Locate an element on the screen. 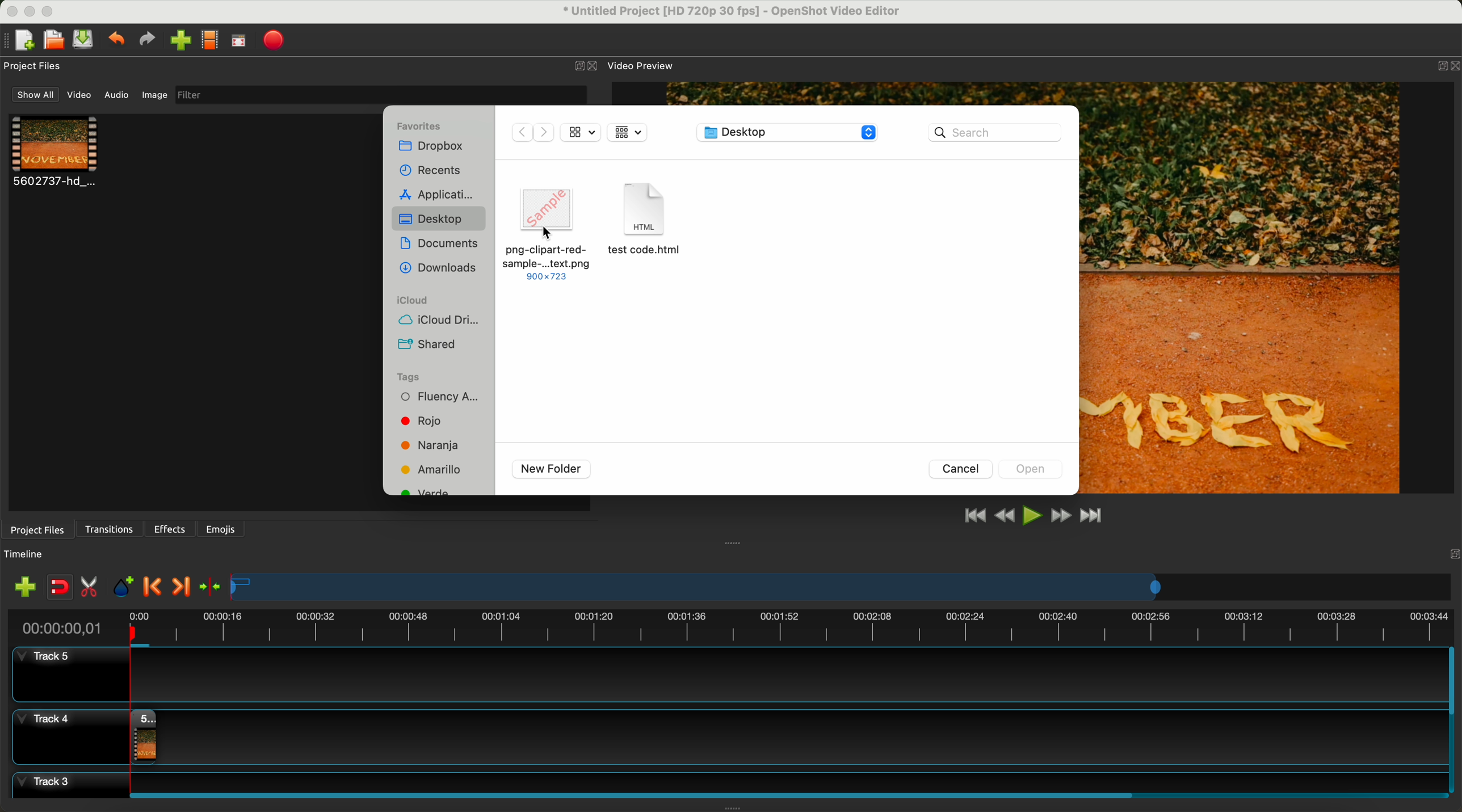 The height and width of the screenshot is (812, 1462).  is located at coordinates (549, 233).